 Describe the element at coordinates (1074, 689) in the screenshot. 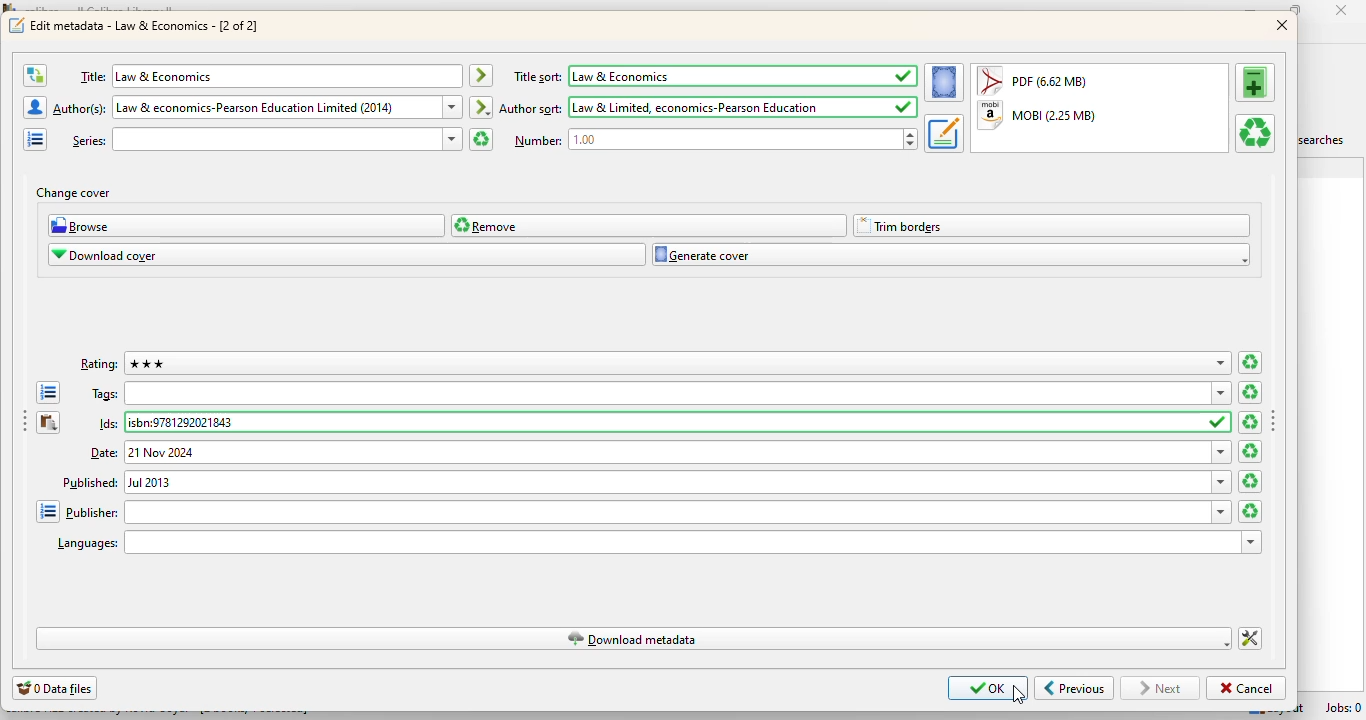

I see `previous` at that location.